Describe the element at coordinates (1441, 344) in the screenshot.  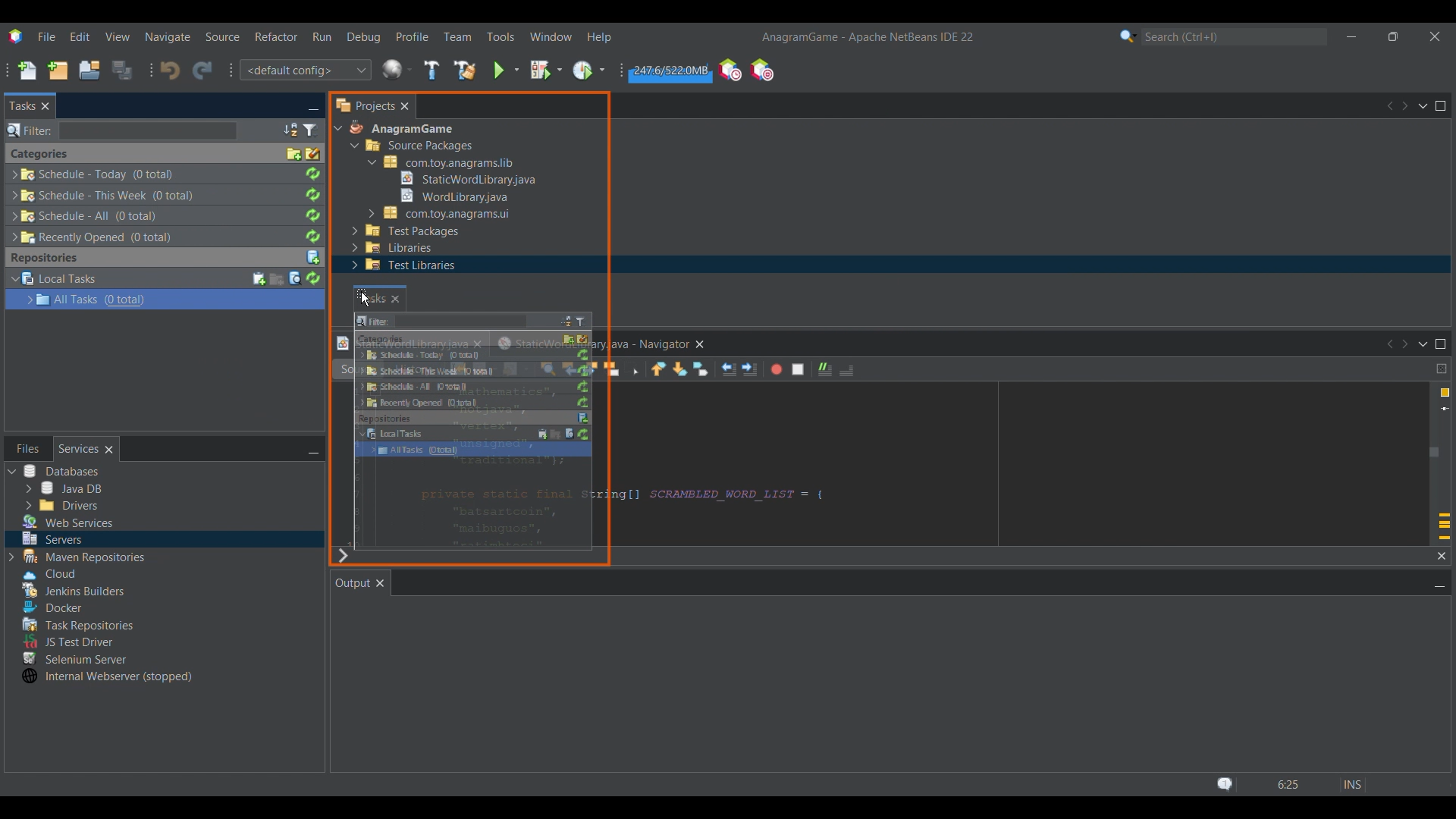
I see `Maximize window` at that location.